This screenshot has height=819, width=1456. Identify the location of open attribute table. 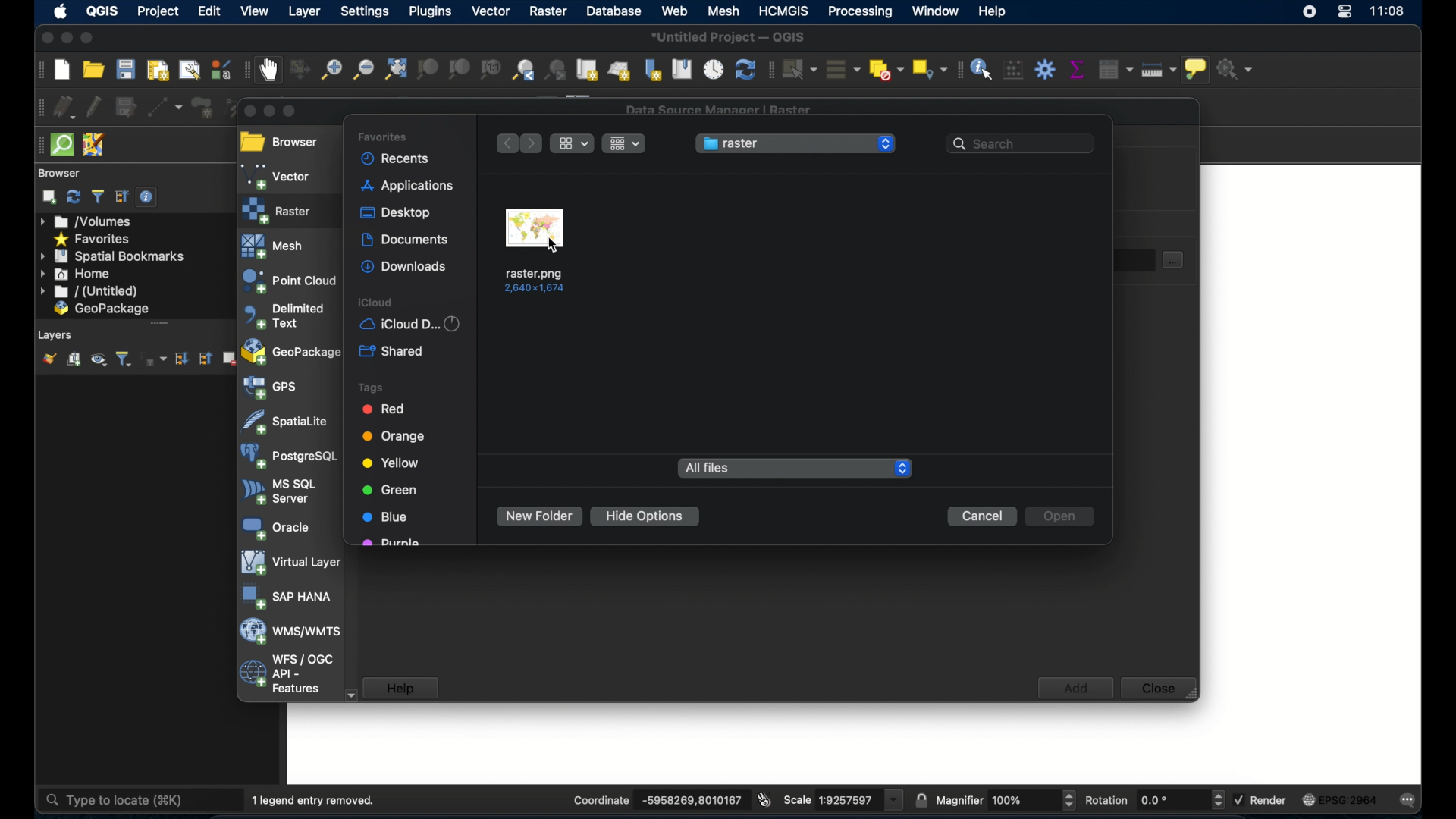
(1112, 67).